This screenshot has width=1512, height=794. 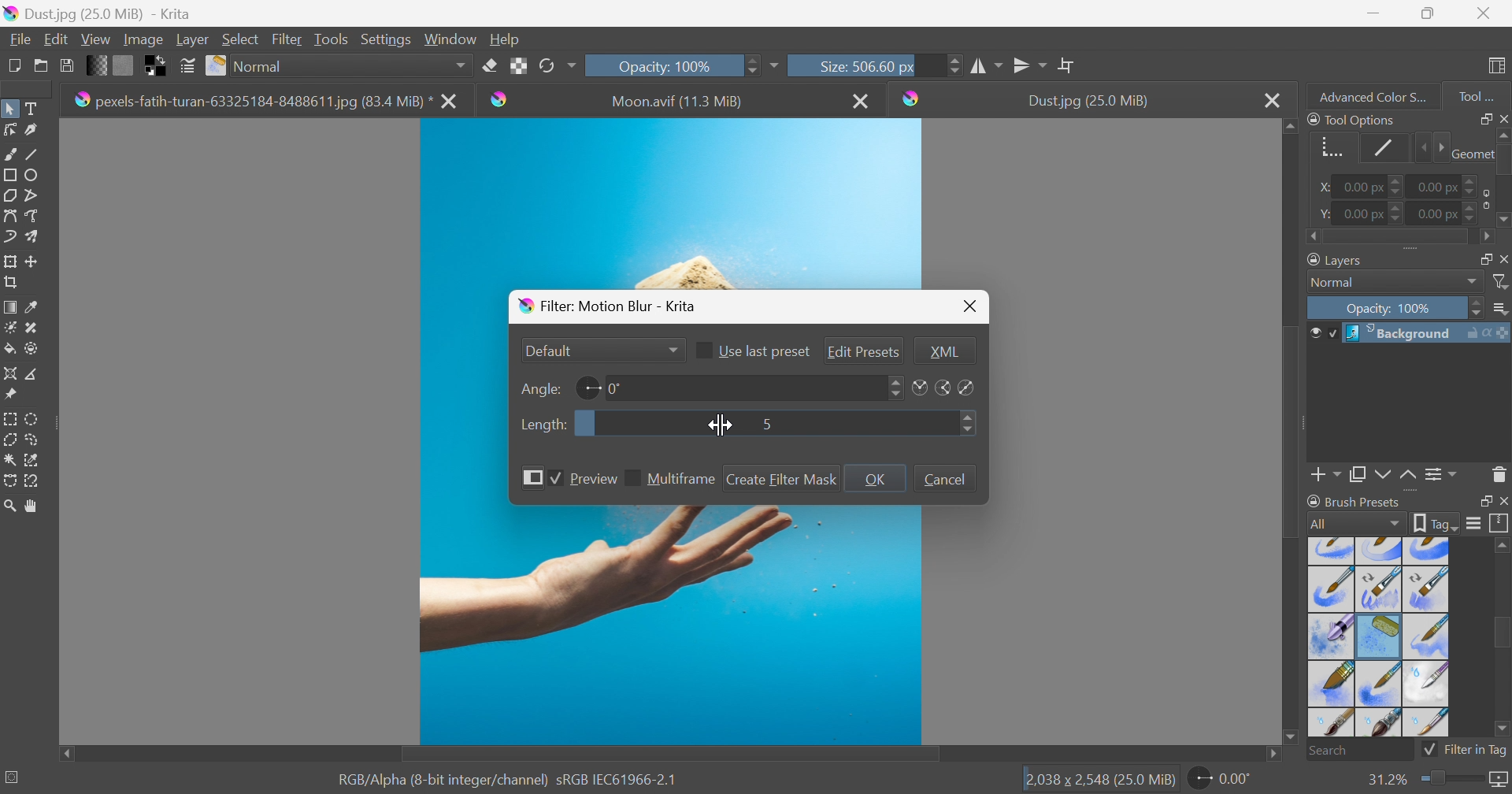 What do you see at coordinates (1473, 282) in the screenshot?
I see `Drop Down` at bounding box center [1473, 282].